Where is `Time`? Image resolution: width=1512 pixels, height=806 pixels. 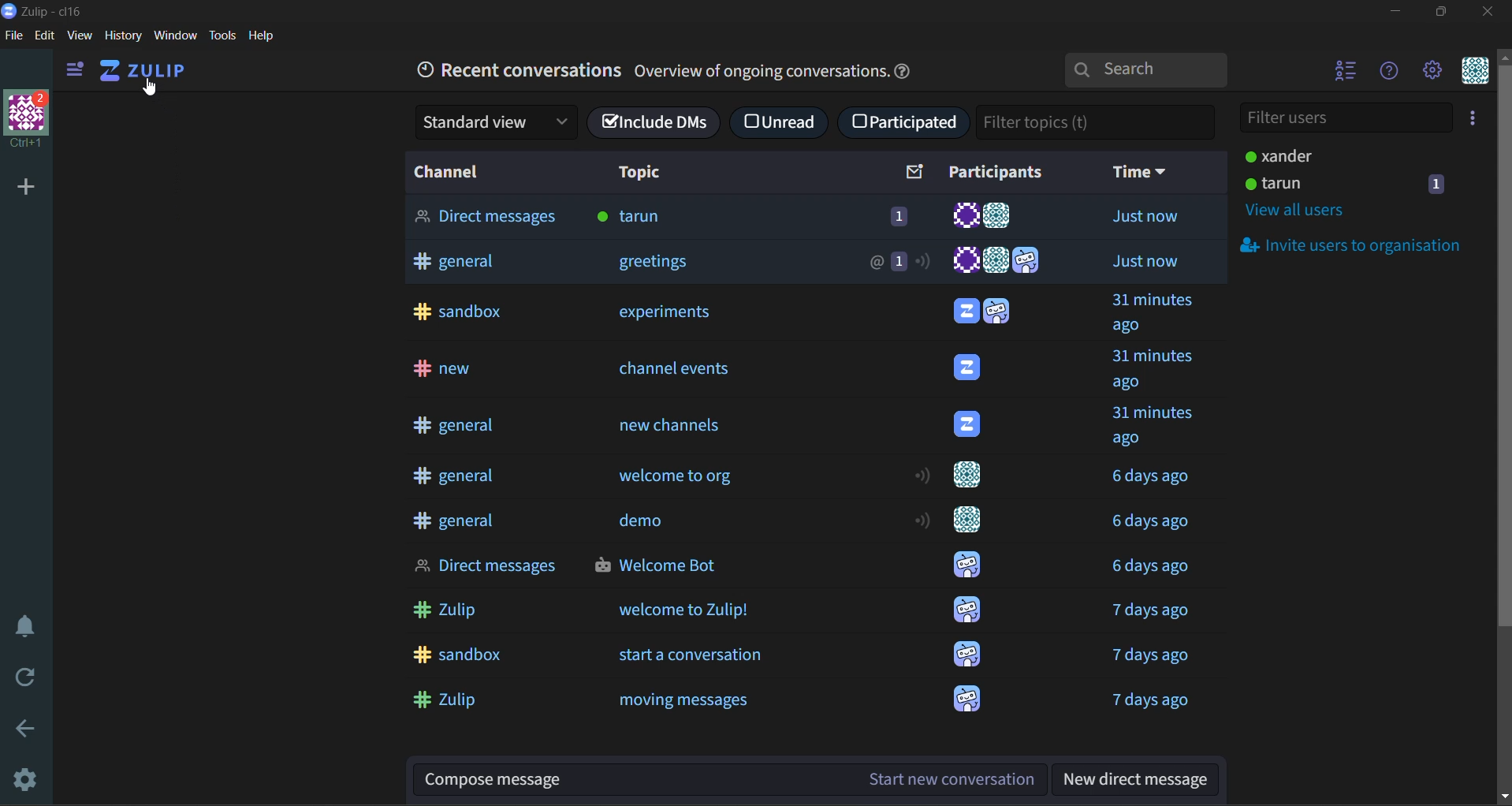 Time is located at coordinates (1151, 656).